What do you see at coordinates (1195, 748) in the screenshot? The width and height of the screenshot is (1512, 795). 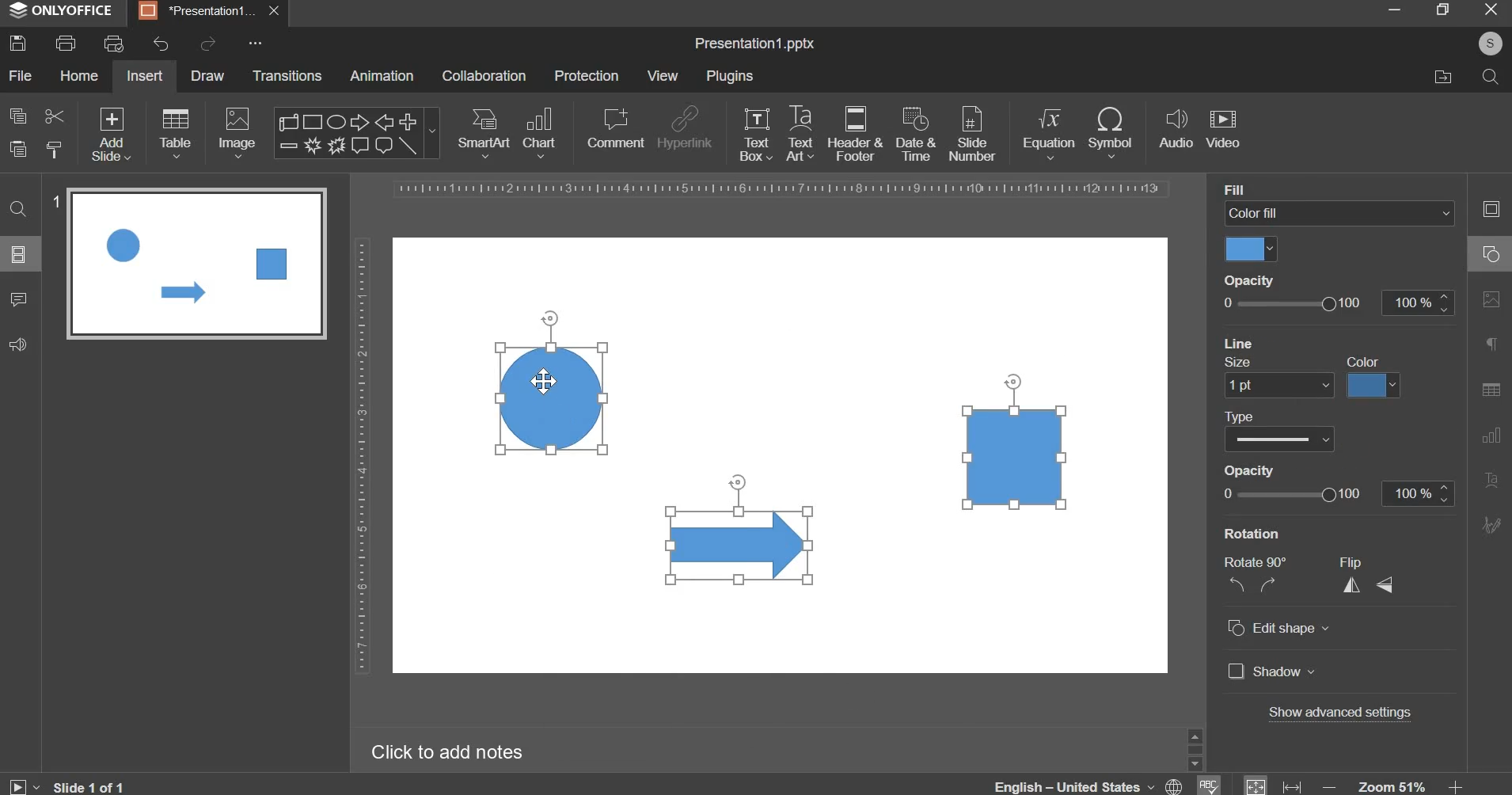 I see `vertical slider` at bounding box center [1195, 748].